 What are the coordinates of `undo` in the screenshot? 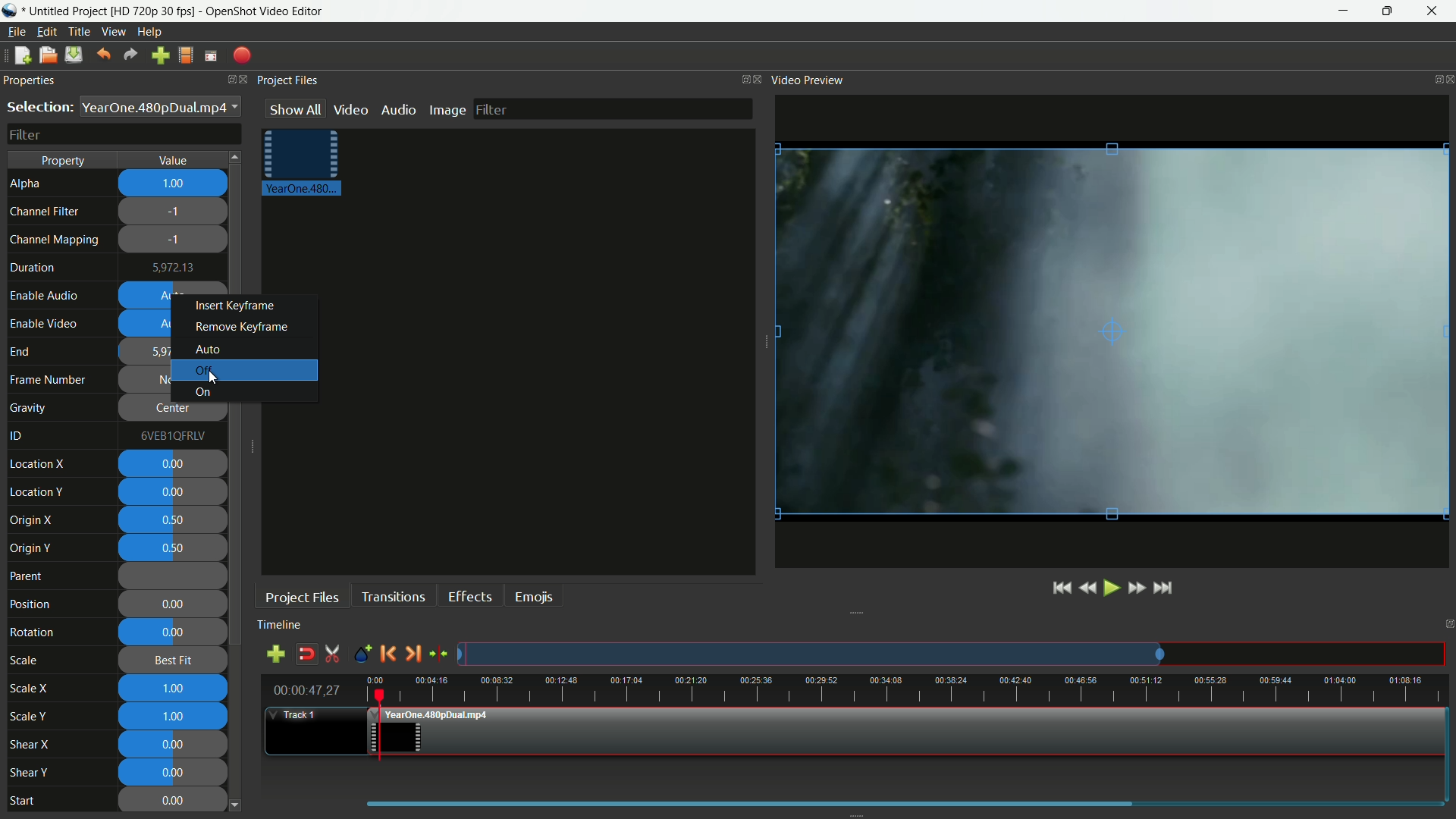 It's located at (103, 55).